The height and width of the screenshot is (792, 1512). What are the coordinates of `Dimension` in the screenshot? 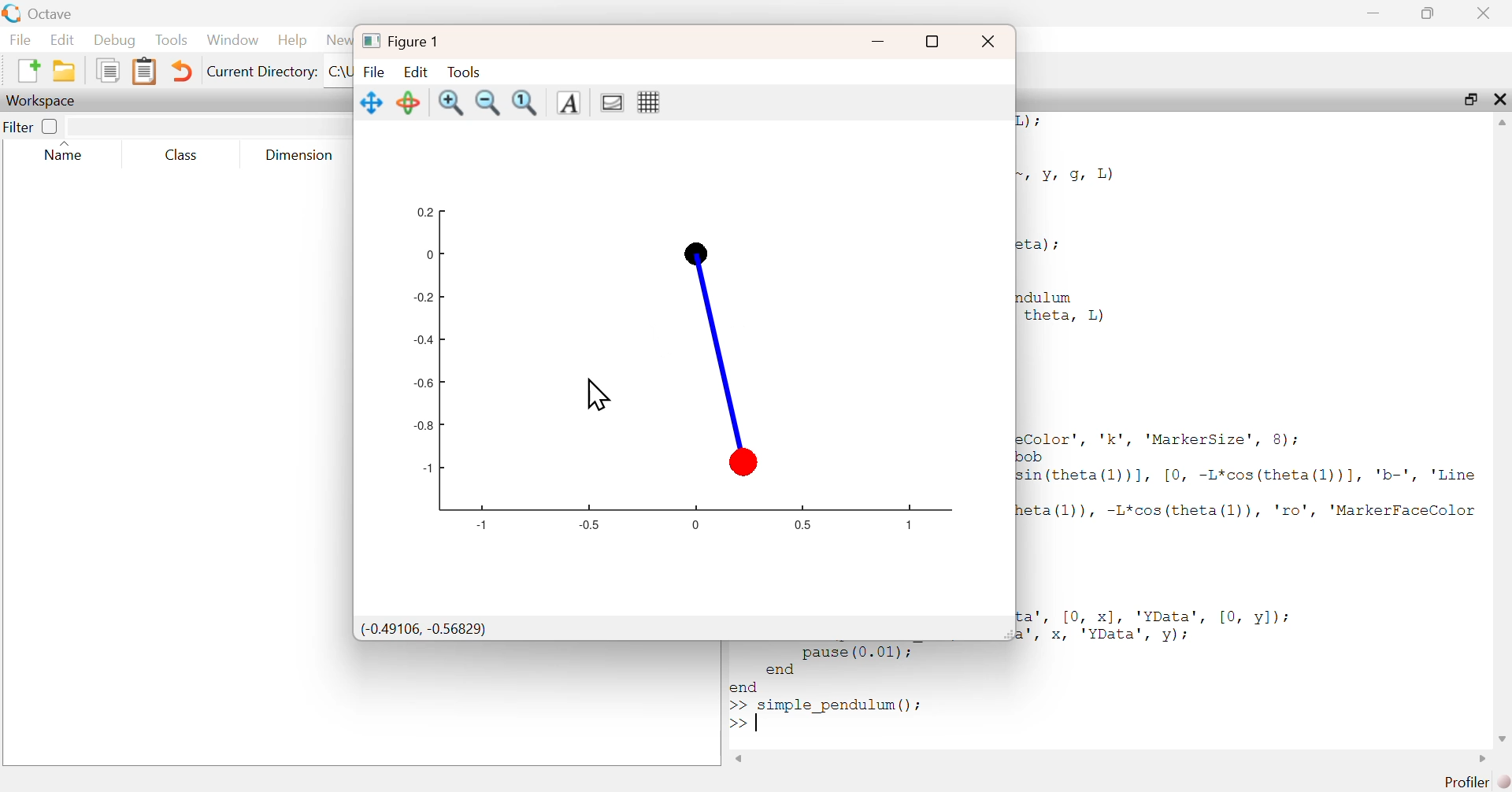 It's located at (299, 156).